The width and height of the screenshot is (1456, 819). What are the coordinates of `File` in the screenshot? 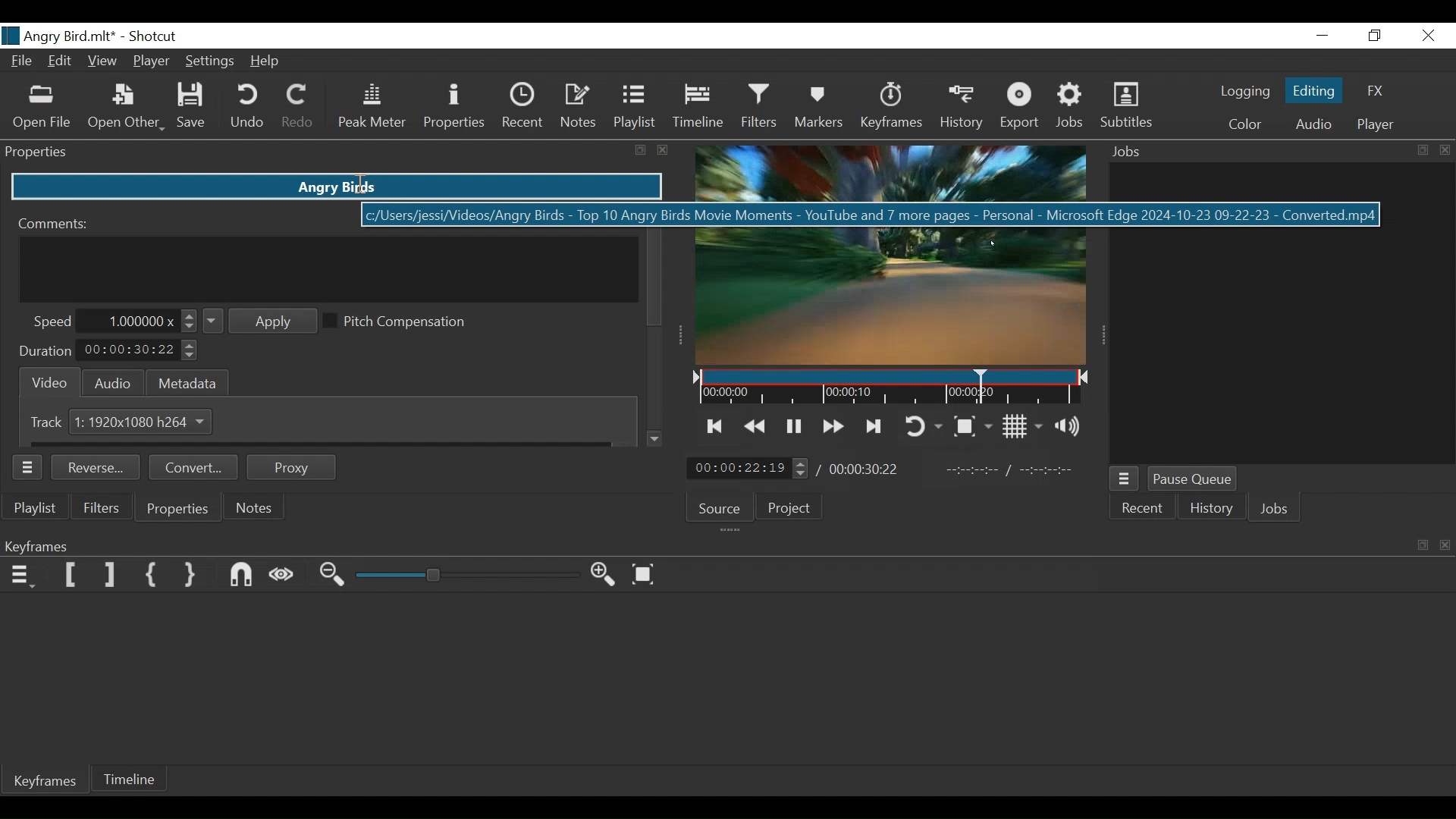 It's located at (22, 62).